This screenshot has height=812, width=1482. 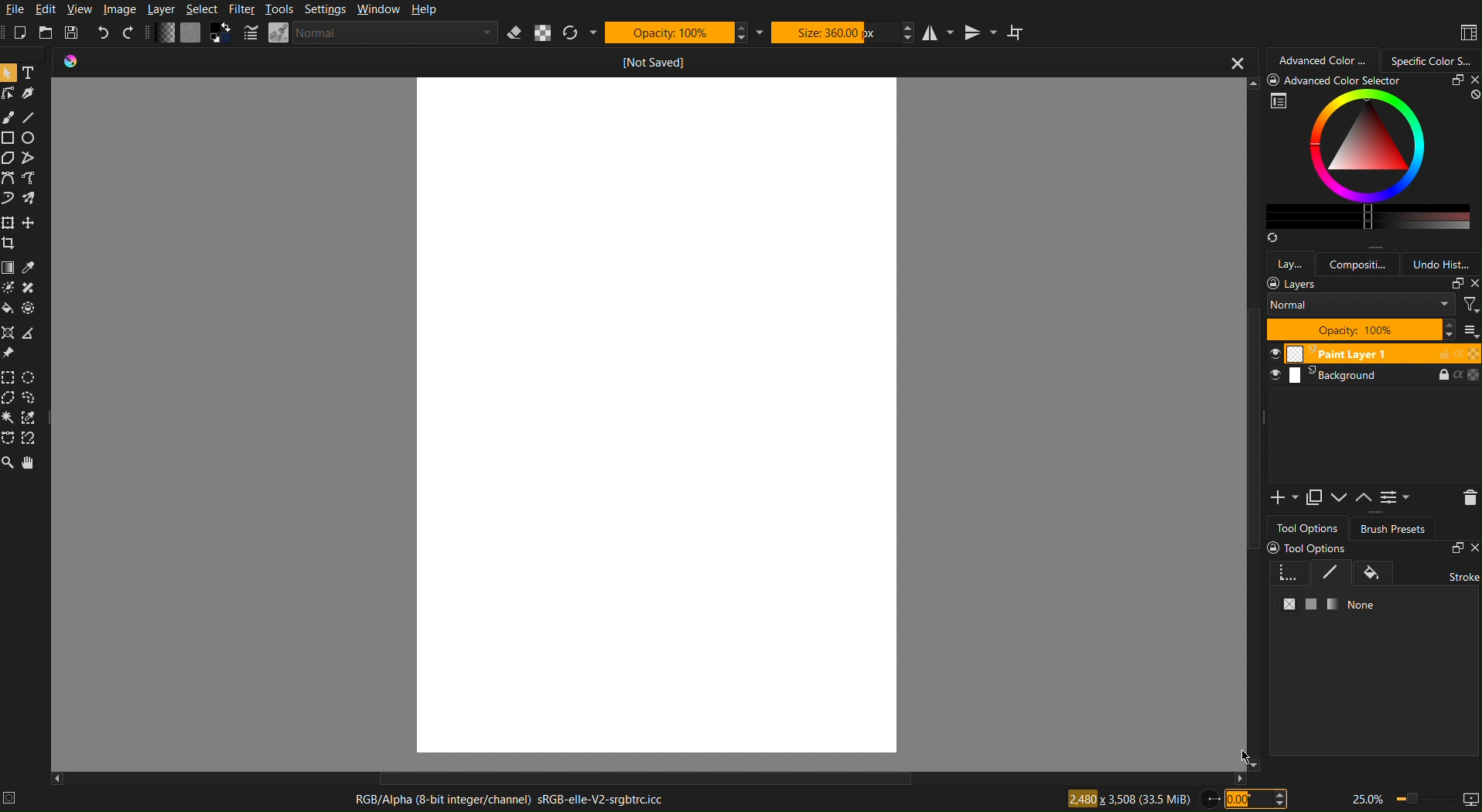 I want to click on Path Selection Tool, so click(x=32, y=157).